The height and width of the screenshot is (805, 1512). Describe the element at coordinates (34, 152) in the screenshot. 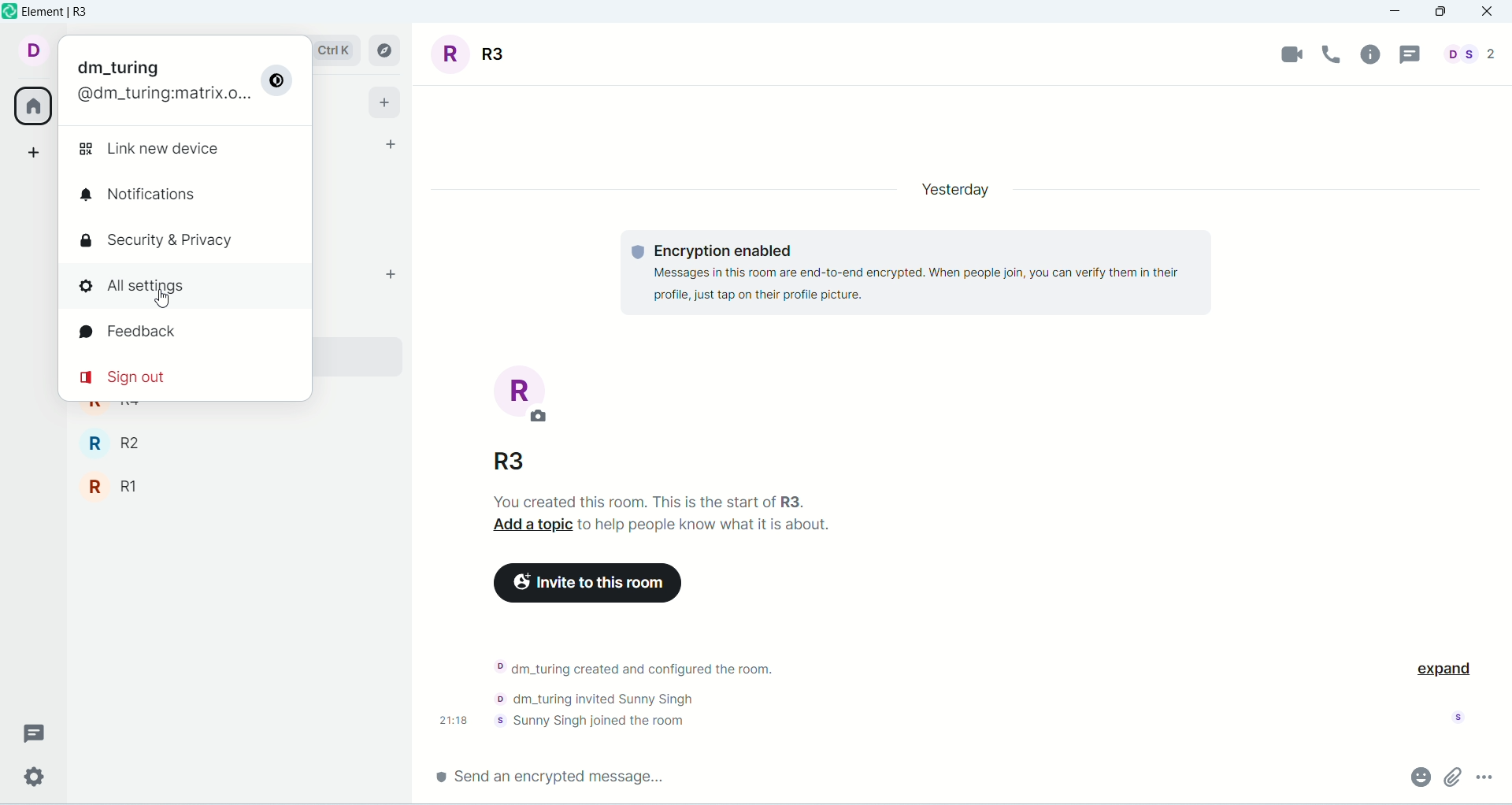

I see `create a space` at that location.